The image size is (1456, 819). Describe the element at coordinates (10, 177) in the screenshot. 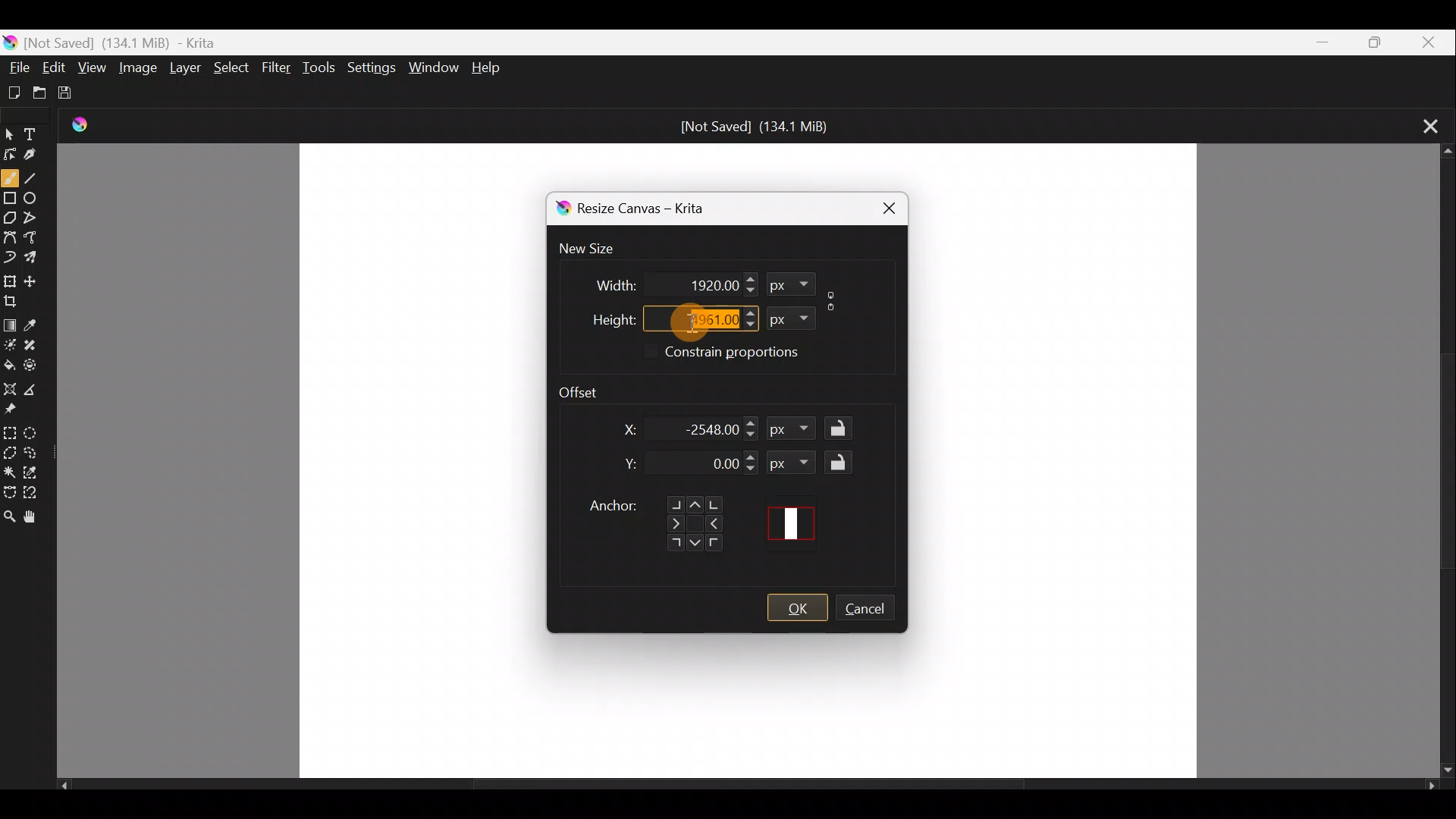

I see `Freehand brush tool` at that location.